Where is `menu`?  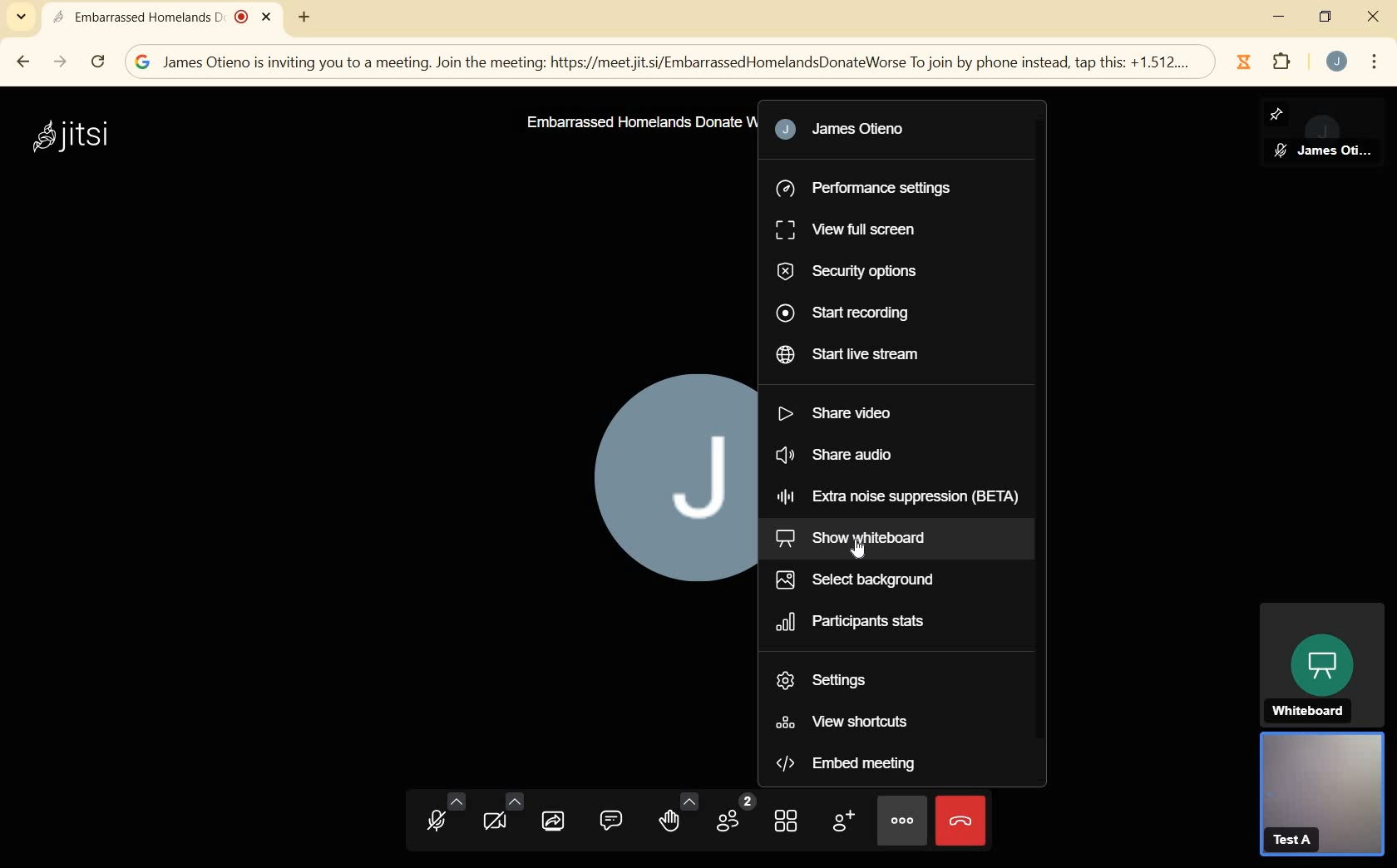 menu is located at coordinates (1374, 60).